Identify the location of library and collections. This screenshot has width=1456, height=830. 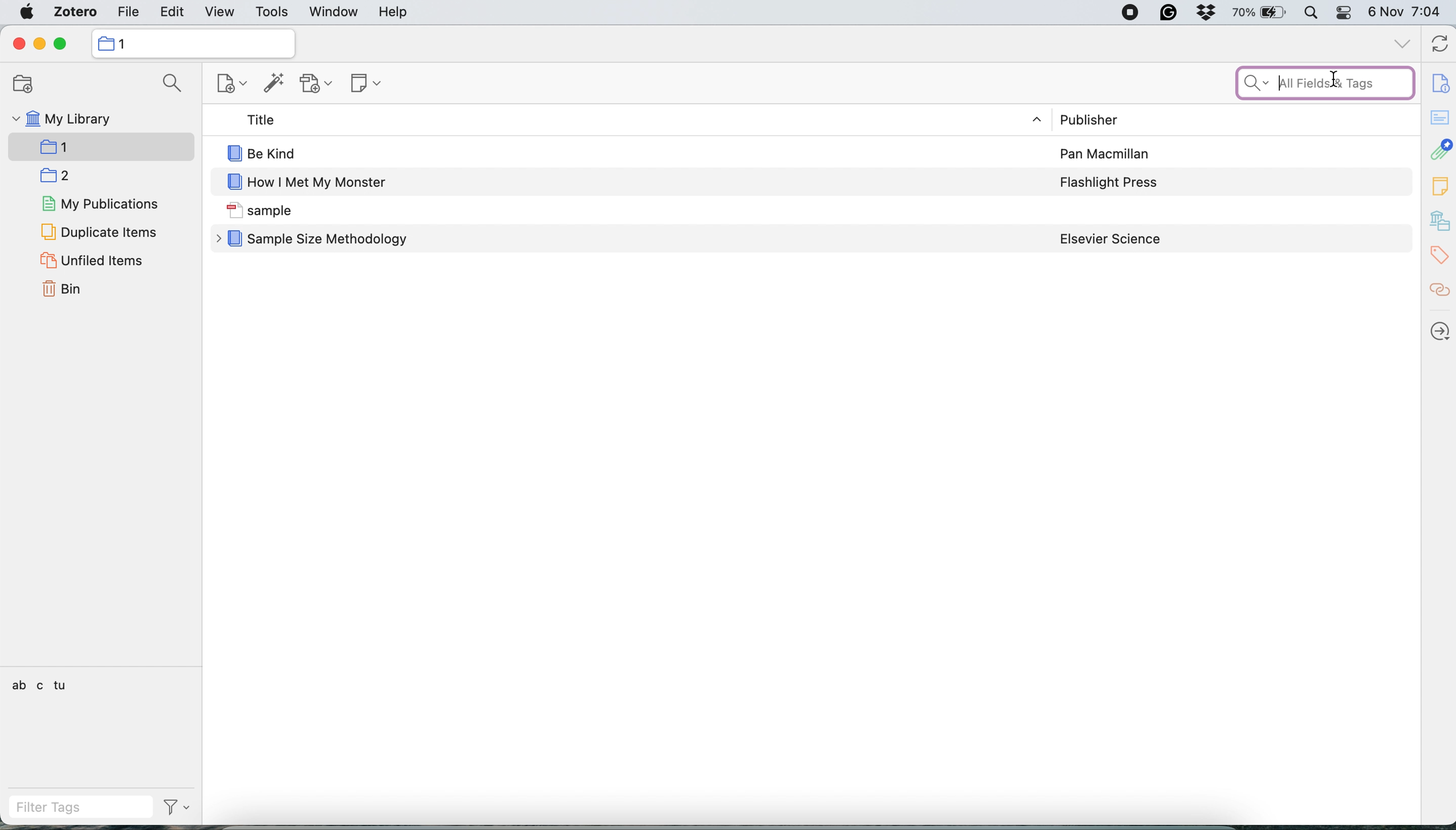
(1439, 221).